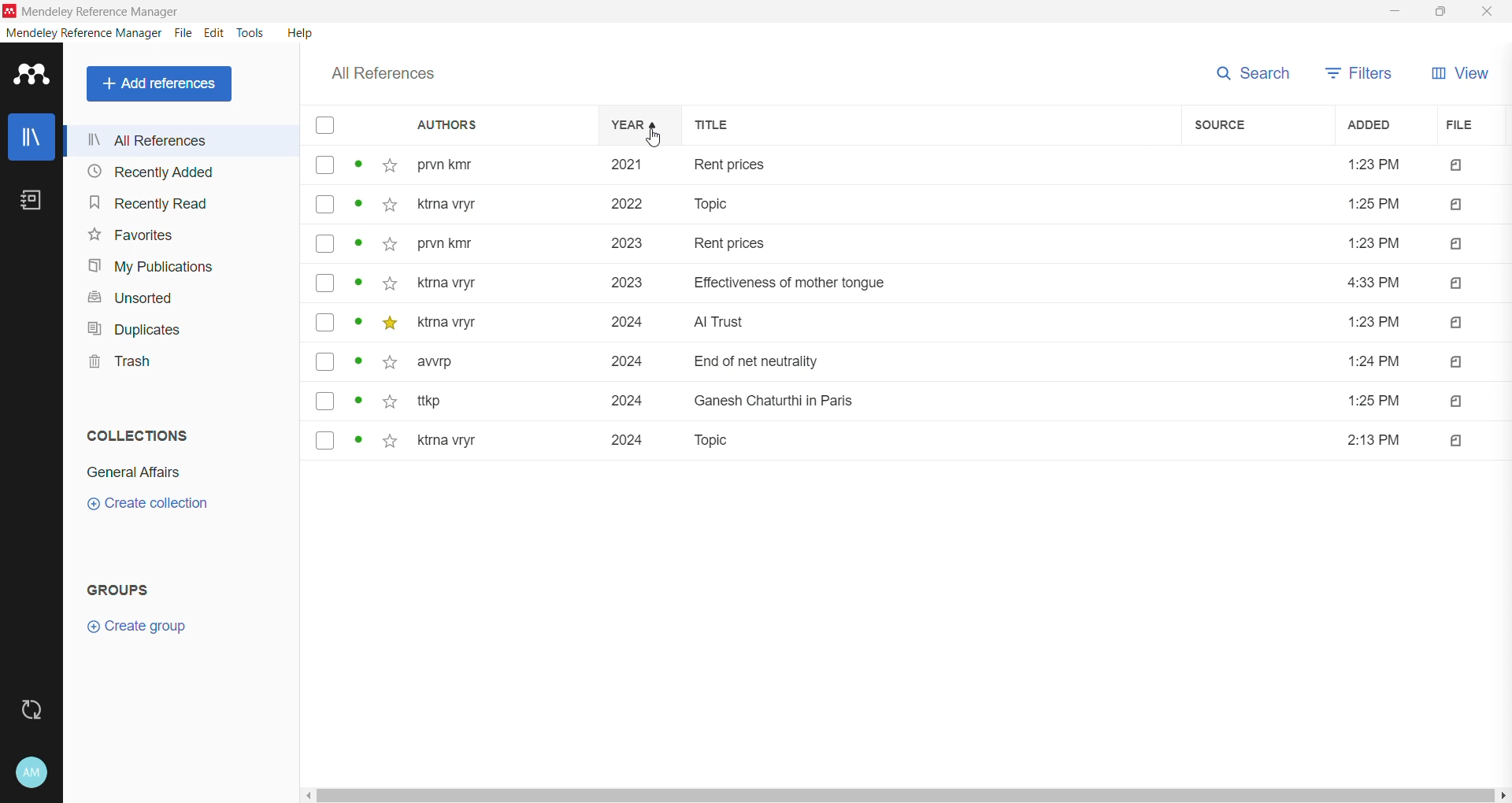  I want to click on 1:23 PM, so click(1373, 322).